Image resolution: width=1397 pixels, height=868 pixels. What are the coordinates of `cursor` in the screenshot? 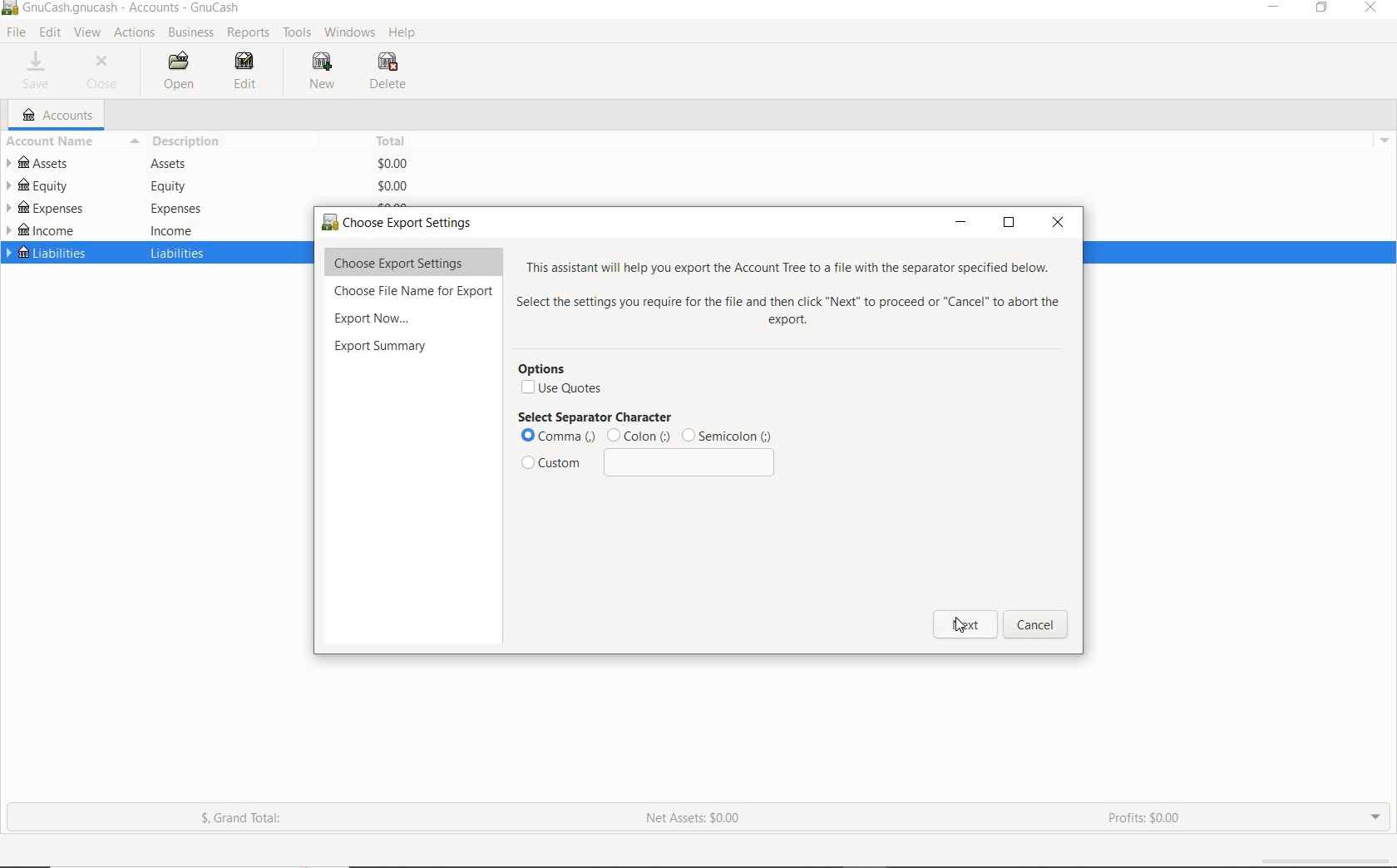 It's located at (958, 627).